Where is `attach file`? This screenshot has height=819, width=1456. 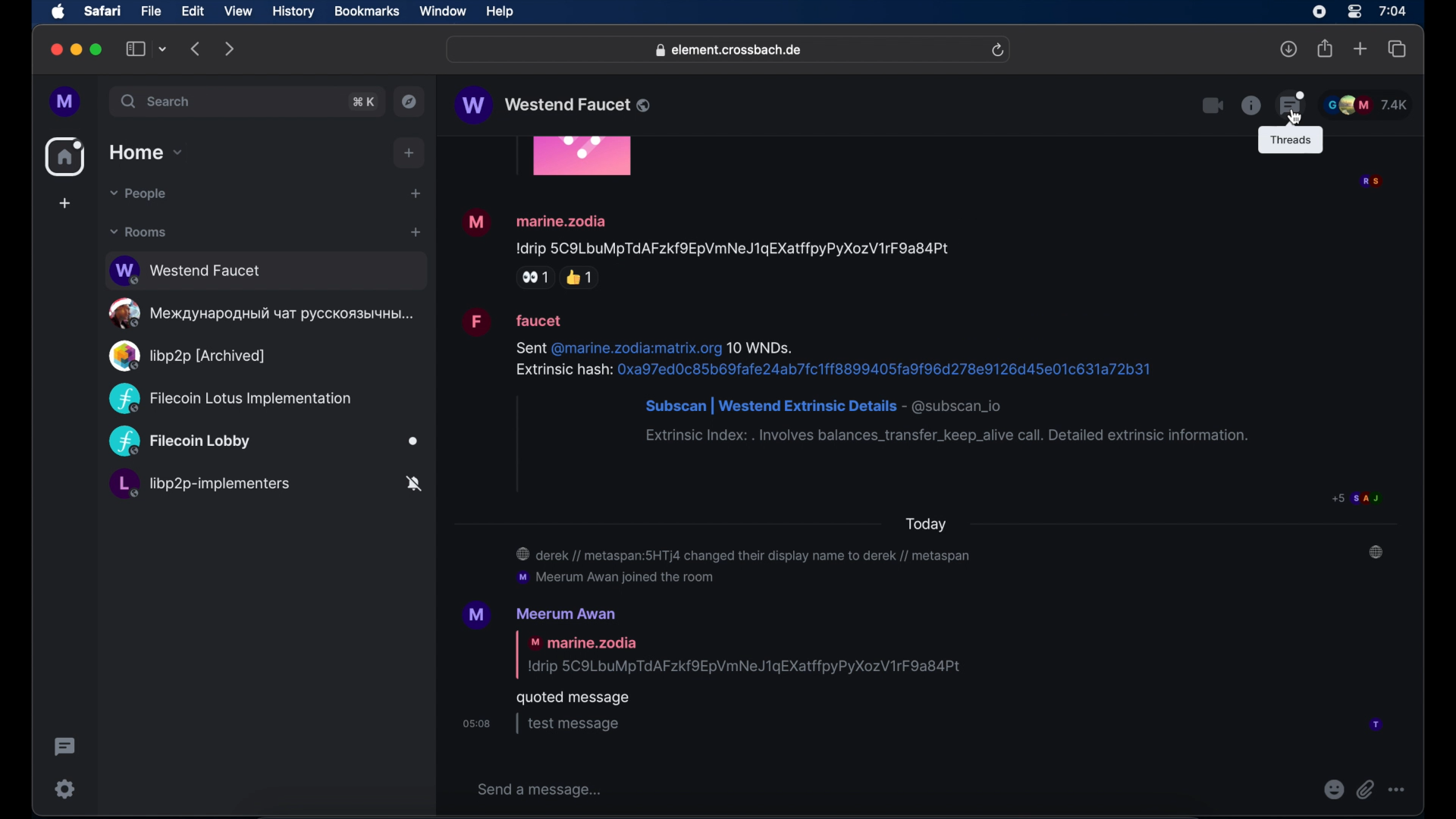 attach file is located at coordinates (1364, 787).